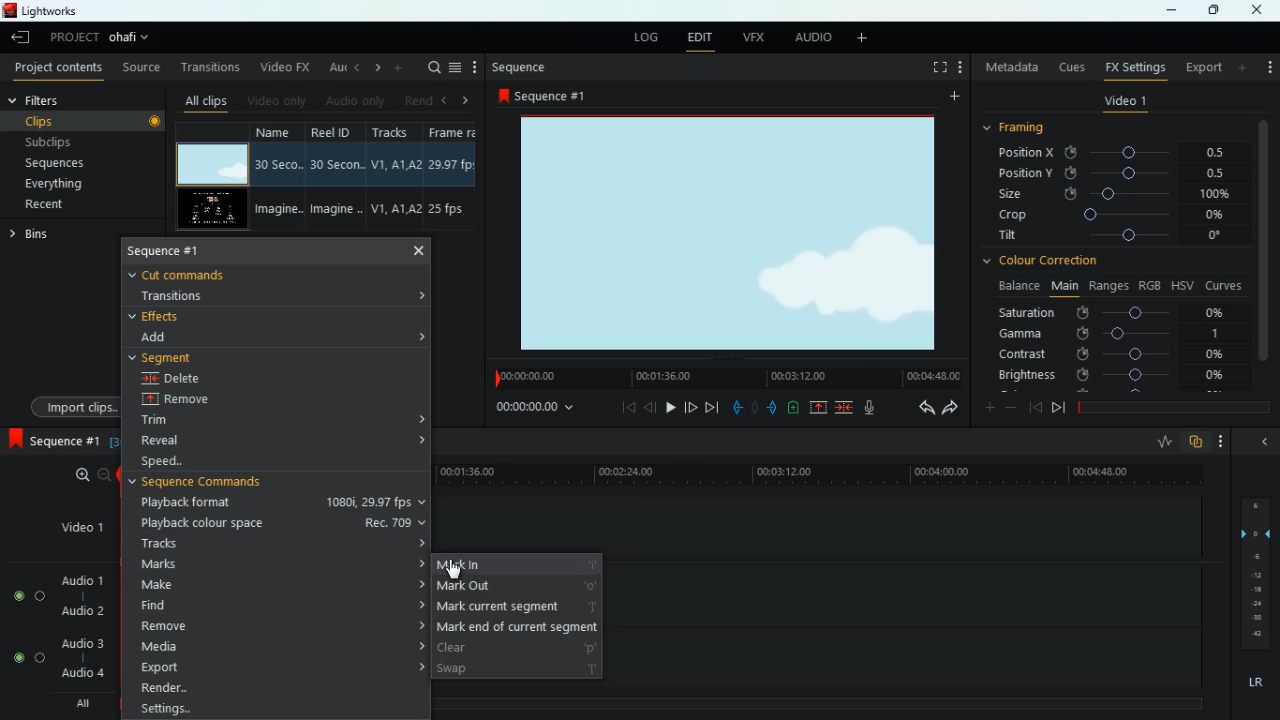 The width and height of the screenshot is (1280, 720). Describe the element at coordinates (522, 68) in the screenshot. I see `sequence` at that location.